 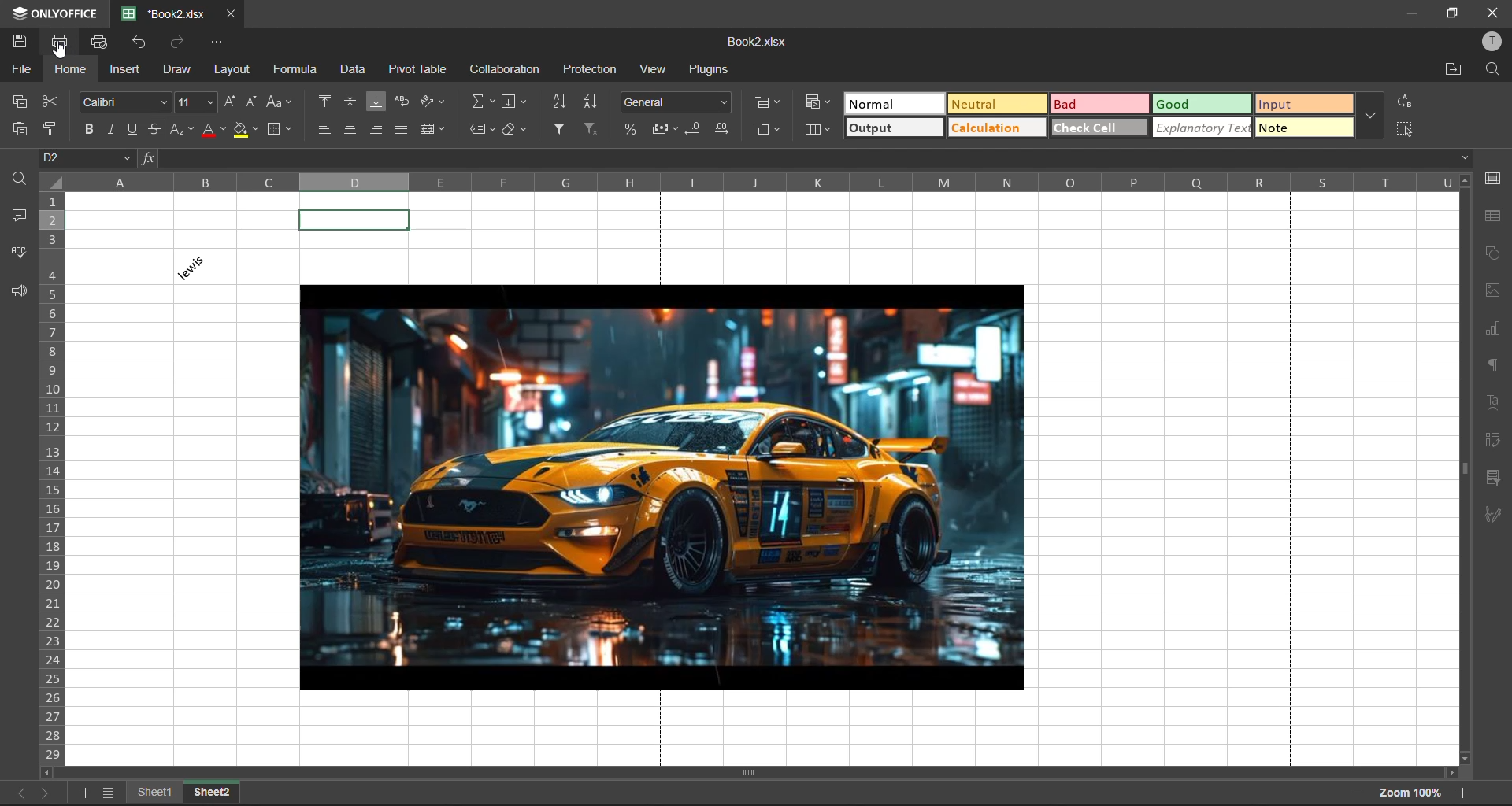 I want to click on paste, so click(x=21, y=131).